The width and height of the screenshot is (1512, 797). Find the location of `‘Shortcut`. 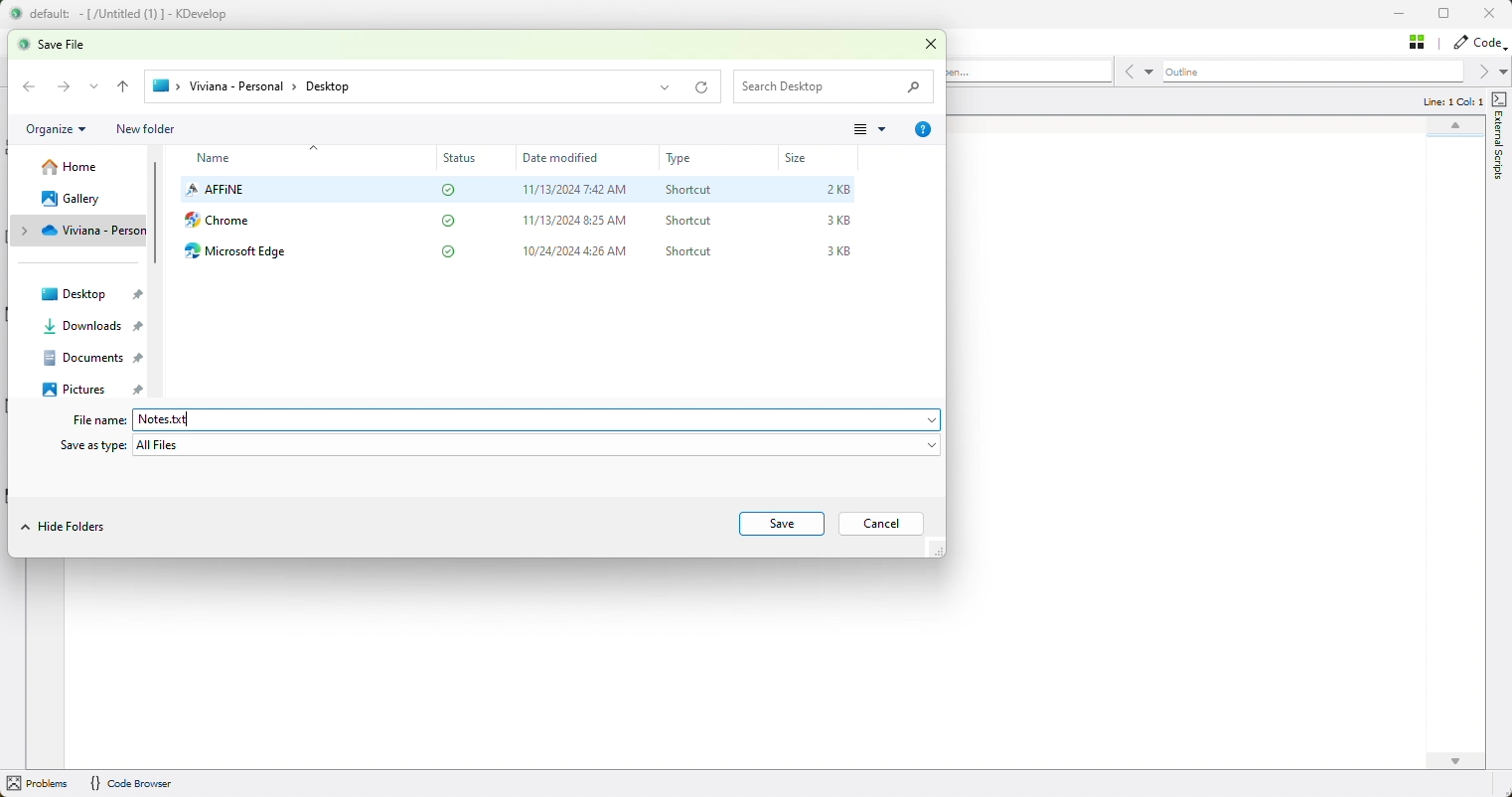

‘Shortcut is located at coordinates (689, 221).